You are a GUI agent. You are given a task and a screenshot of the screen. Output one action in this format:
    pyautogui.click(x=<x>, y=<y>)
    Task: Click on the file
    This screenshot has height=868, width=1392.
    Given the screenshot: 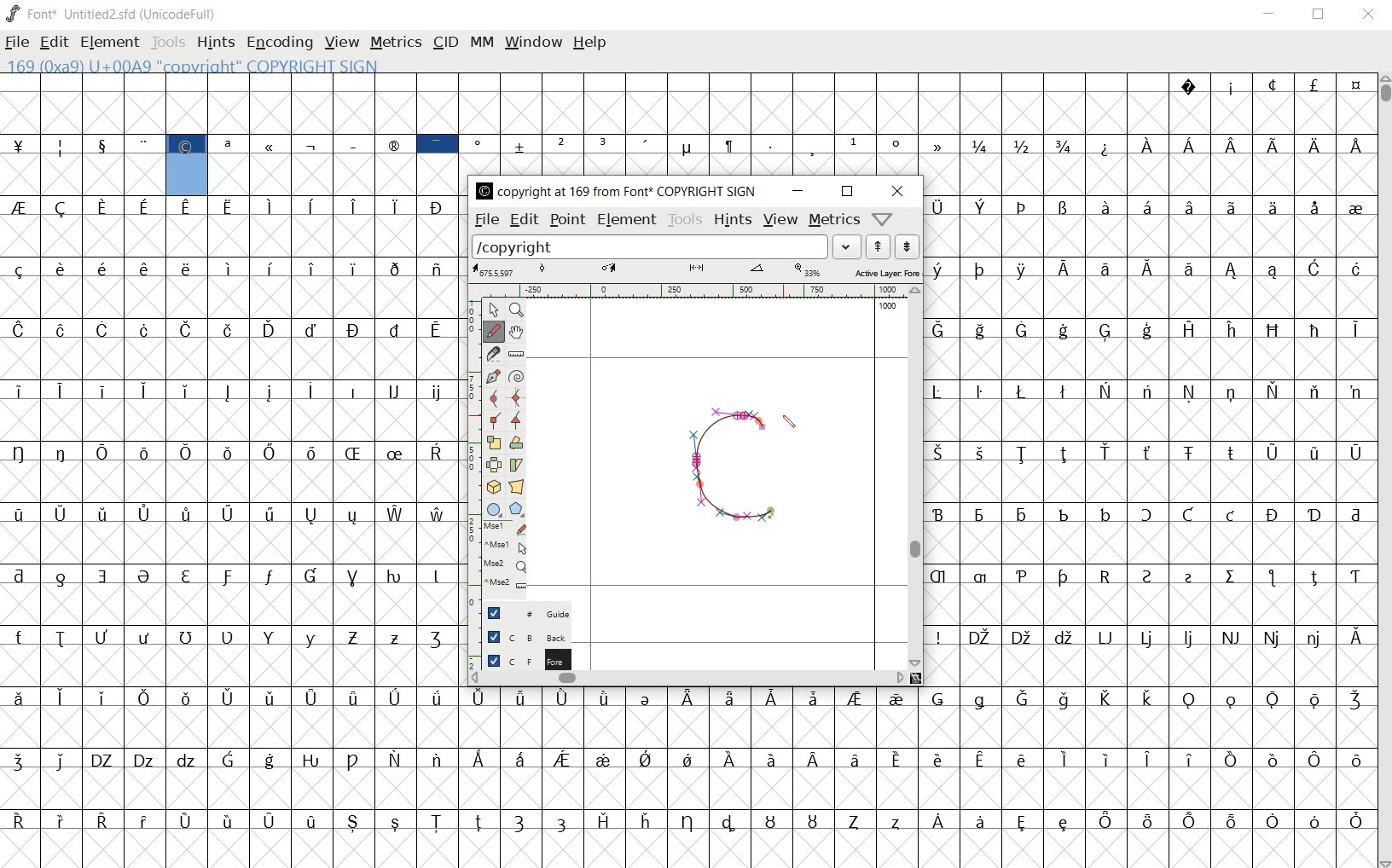 What is the action you would take?
    pyautogui.click(x=485, y=220)
    